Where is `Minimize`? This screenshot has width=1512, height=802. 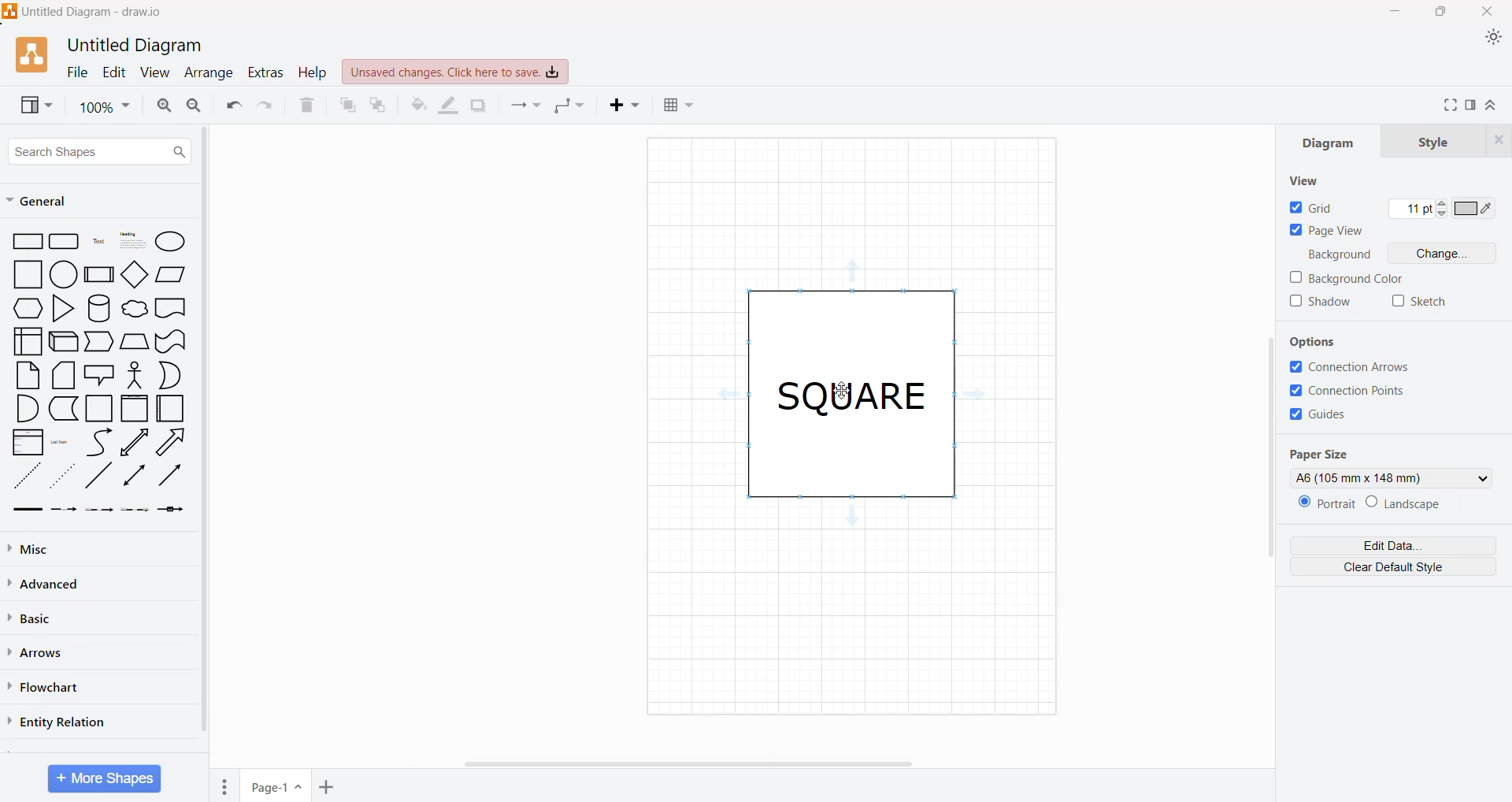
Minimize is located at coordinates (1395, 10).